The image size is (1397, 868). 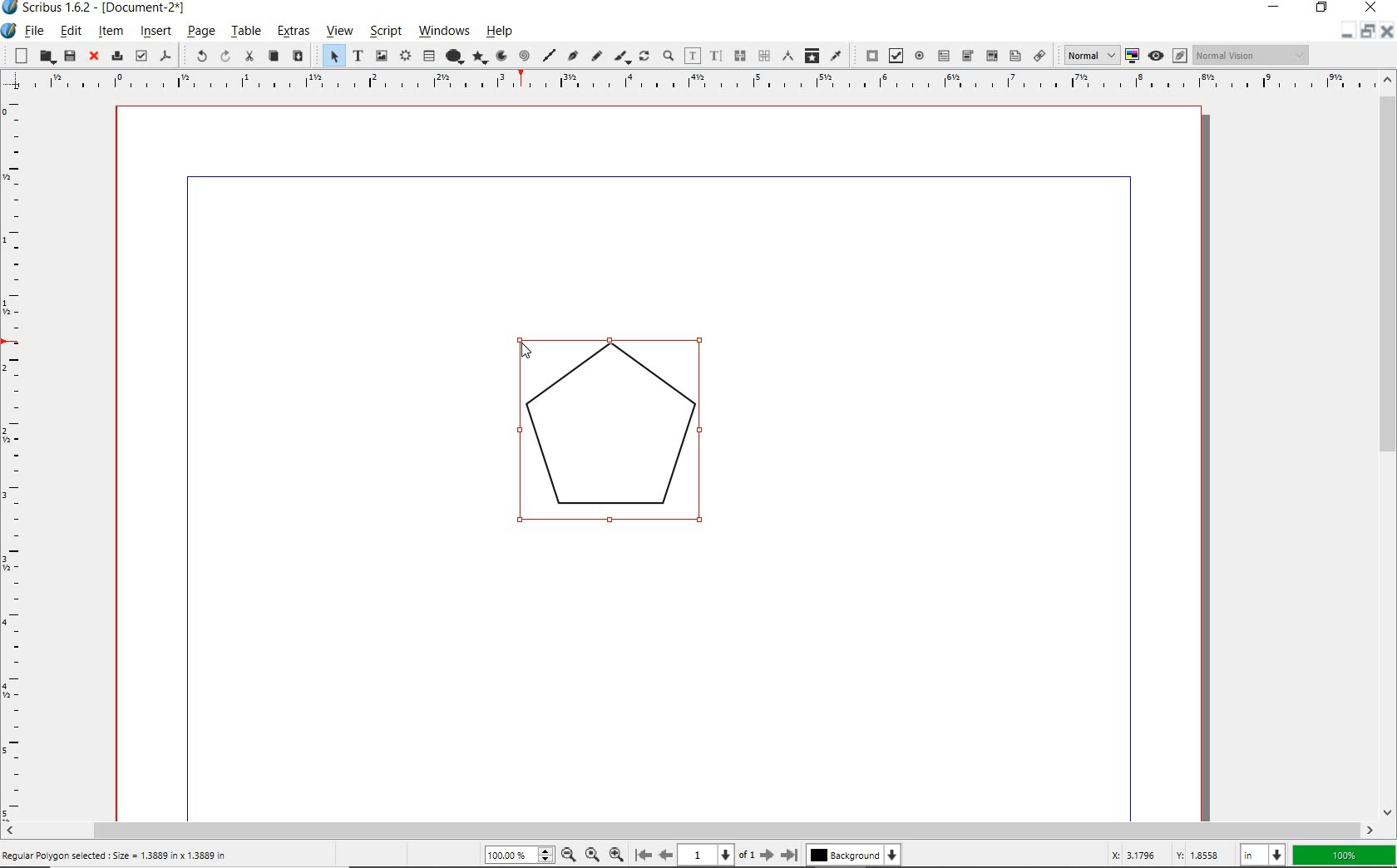 What do you see at coordinates (689, 831) in the screenshot?
I see `scrollbar` at bounding box center [689, 831].